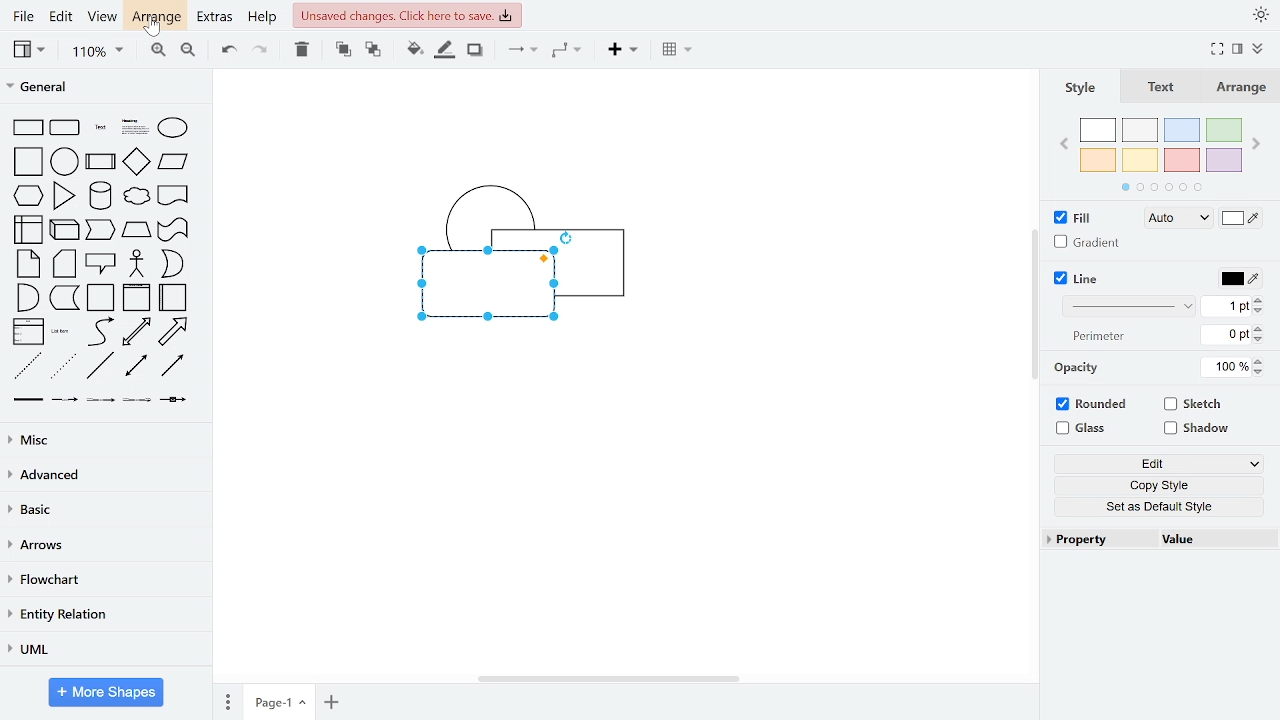 Image resolution: width=1280 pixels, height=720 pixels. I want to click on horizontal scrollbar, so click(610, 680).